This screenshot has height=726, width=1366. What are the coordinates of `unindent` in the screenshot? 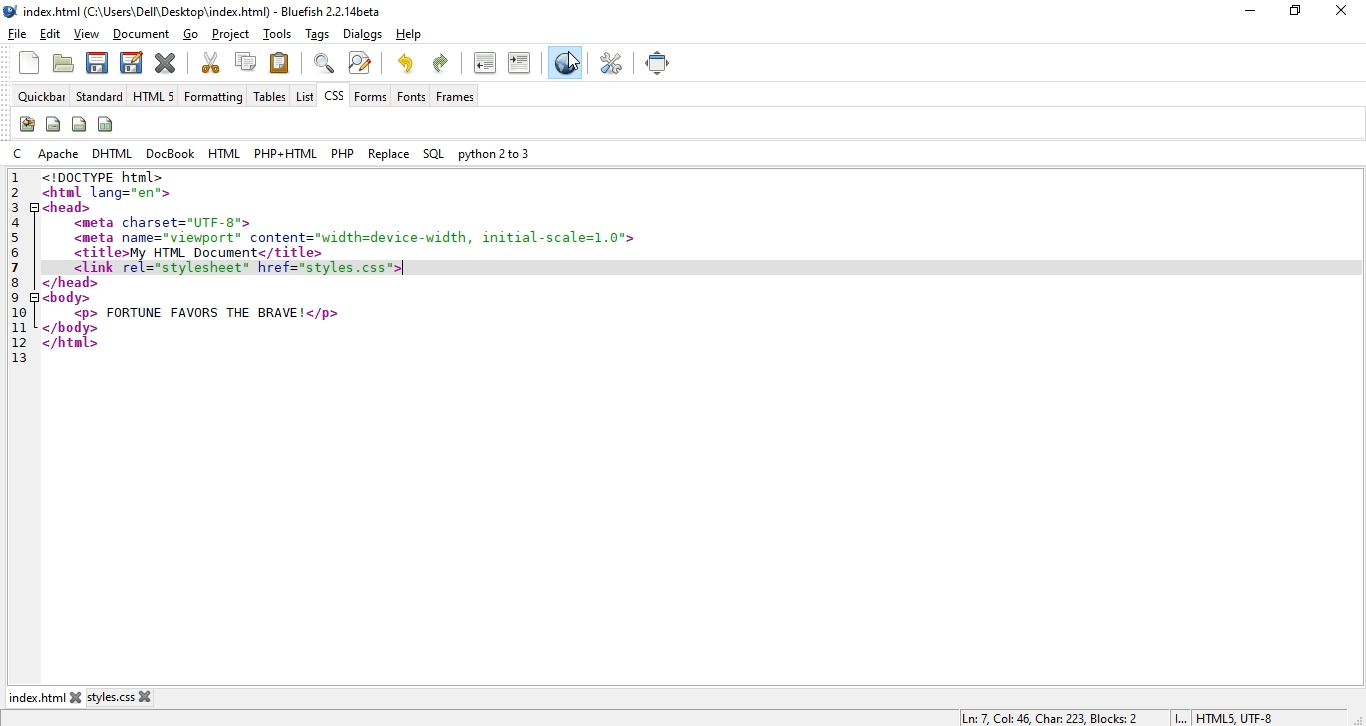 It's located at (485, 62).